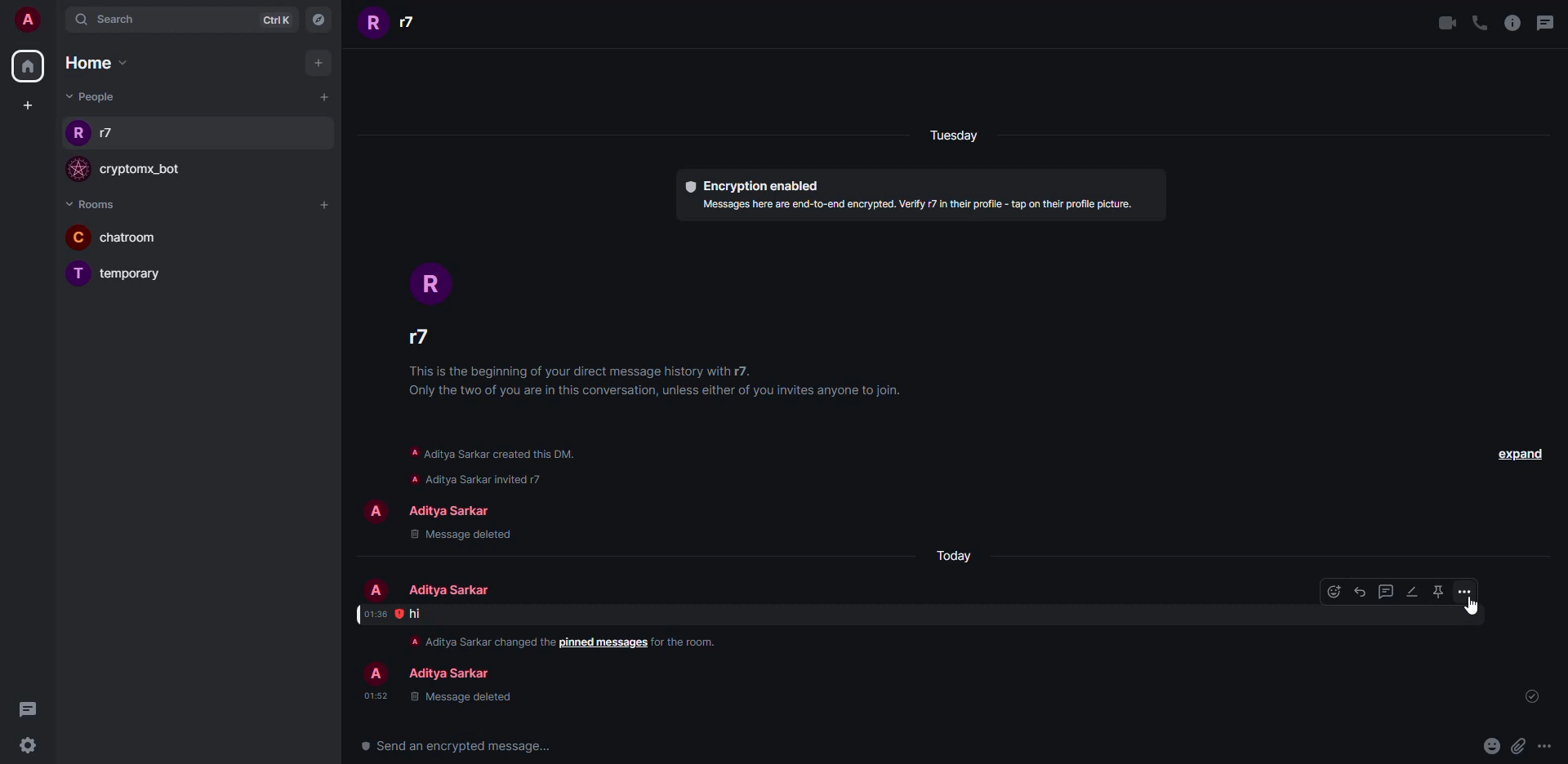  Describe the element at coordinates (456, 747) in the screenshot. I see `send encrypted message` at that location.